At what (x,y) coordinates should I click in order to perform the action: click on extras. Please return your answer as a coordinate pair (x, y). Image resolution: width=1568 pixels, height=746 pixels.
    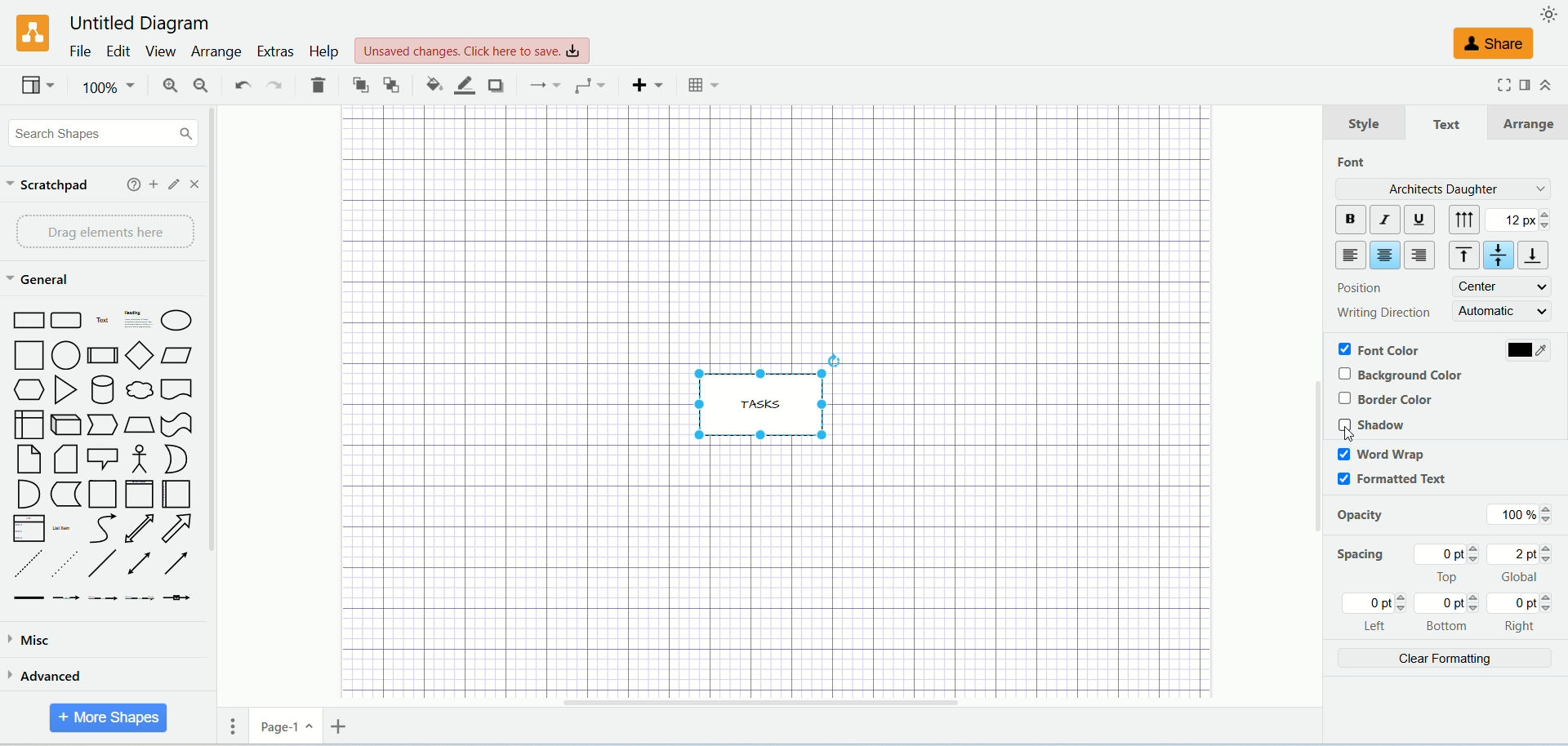
    Looking at the image, I should click on (274, 51).